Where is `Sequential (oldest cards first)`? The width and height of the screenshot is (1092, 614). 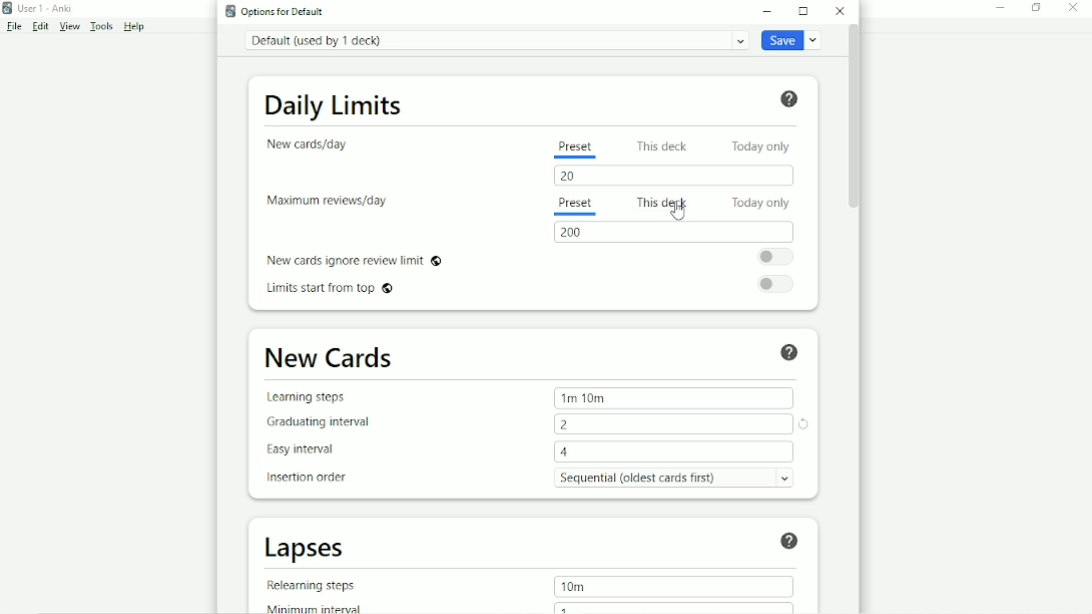
Sequential (oldest cards first) is located at coordinates (680, 477).